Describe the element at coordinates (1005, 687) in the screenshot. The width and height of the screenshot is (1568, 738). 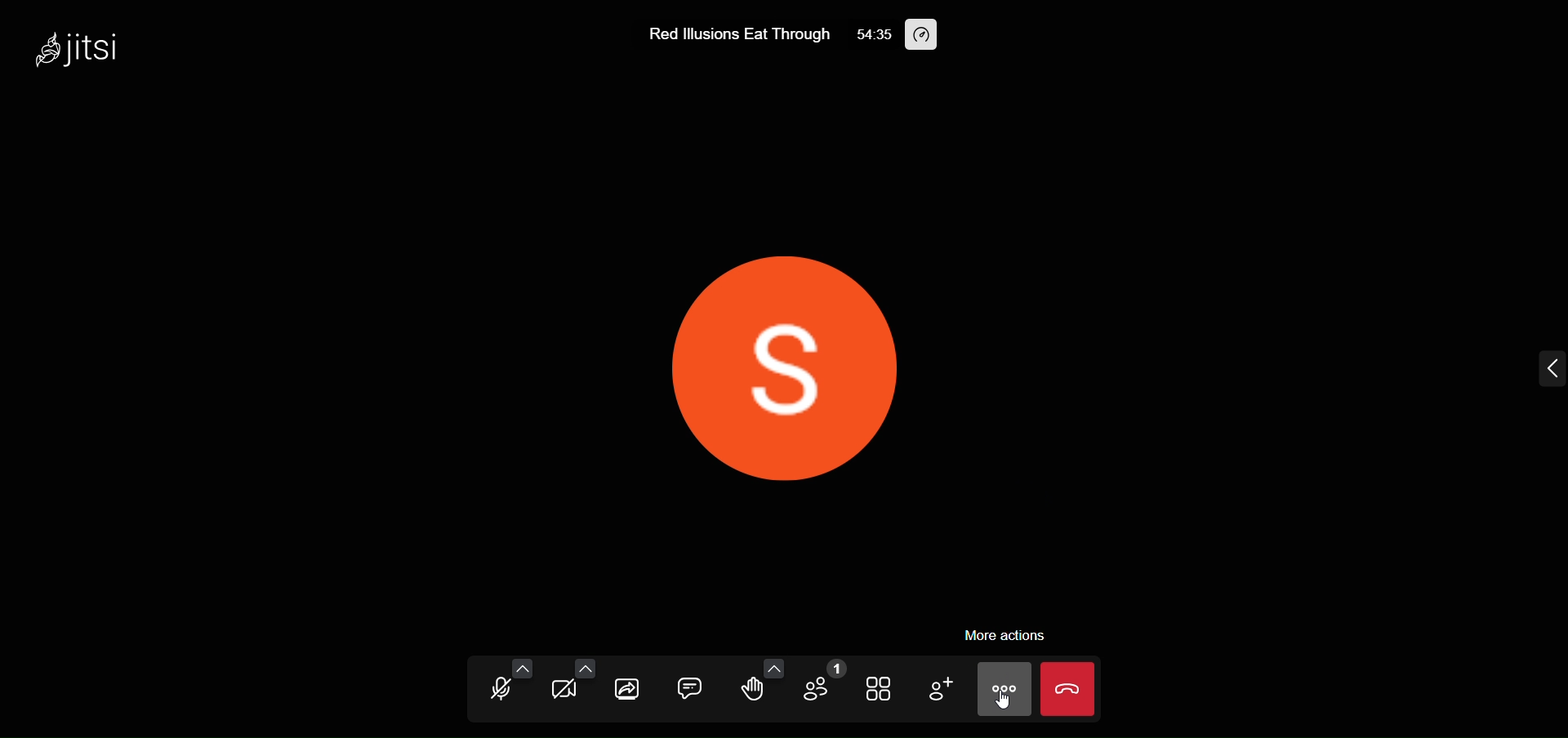
I see `more` at that location.